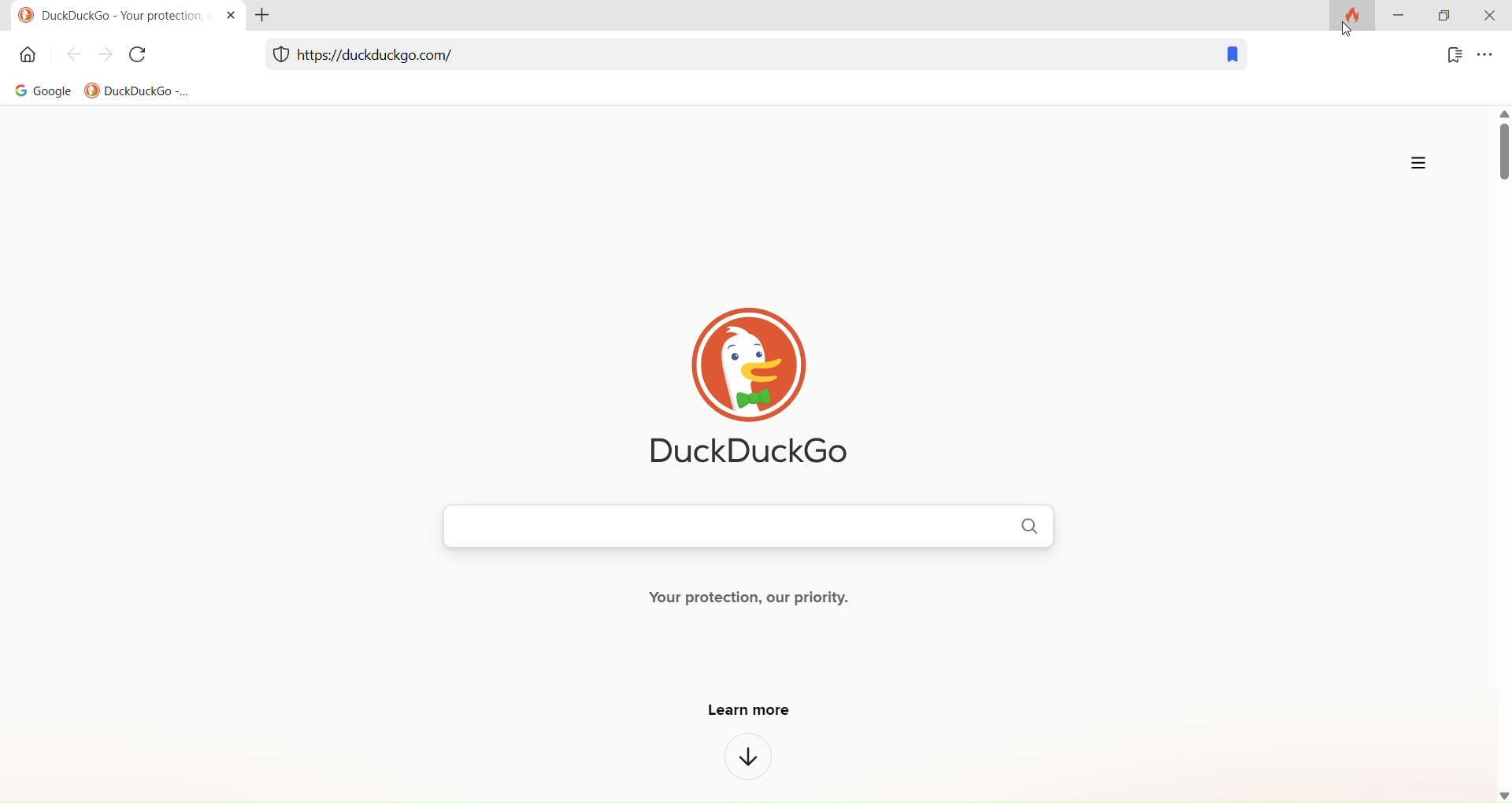  Describe the element at coordinates (727, 528) in the screenshot. I see `search bar` at that location.